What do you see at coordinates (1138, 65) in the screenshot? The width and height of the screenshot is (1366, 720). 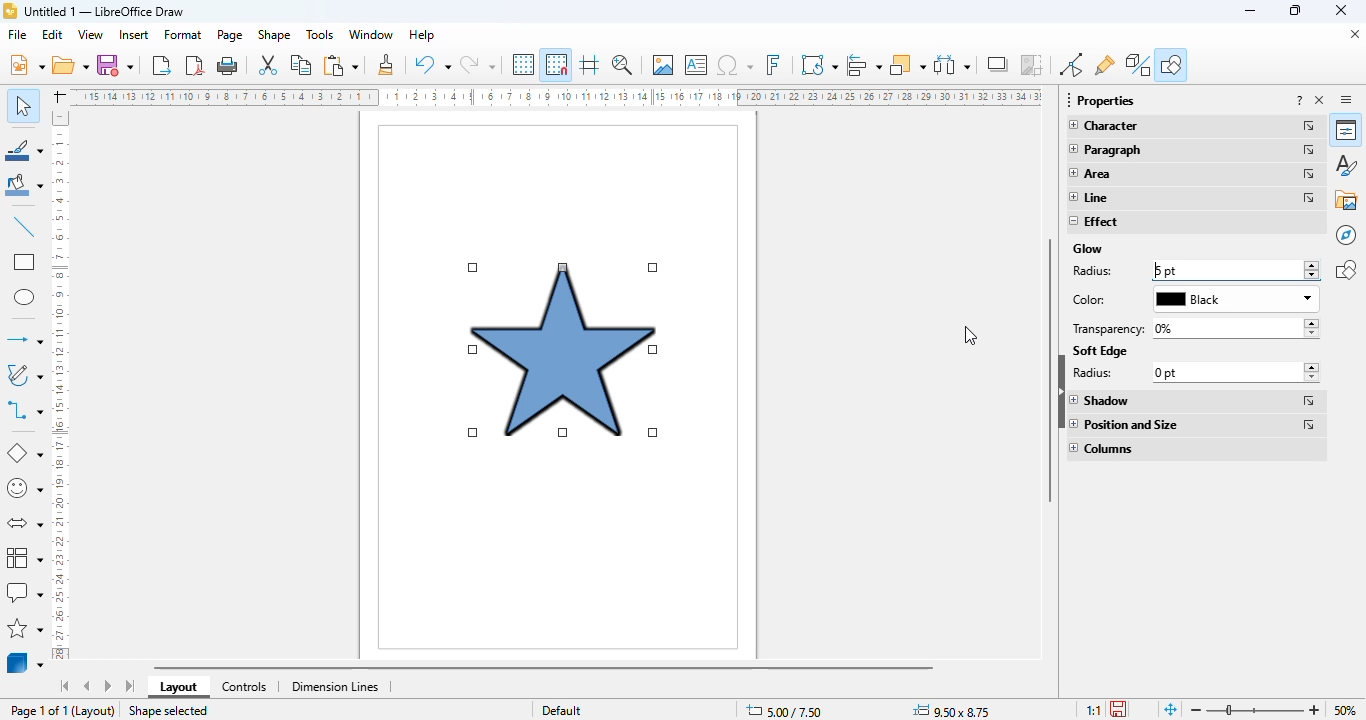 I see `toggle extrusion` at bounding box center [1138, 65].